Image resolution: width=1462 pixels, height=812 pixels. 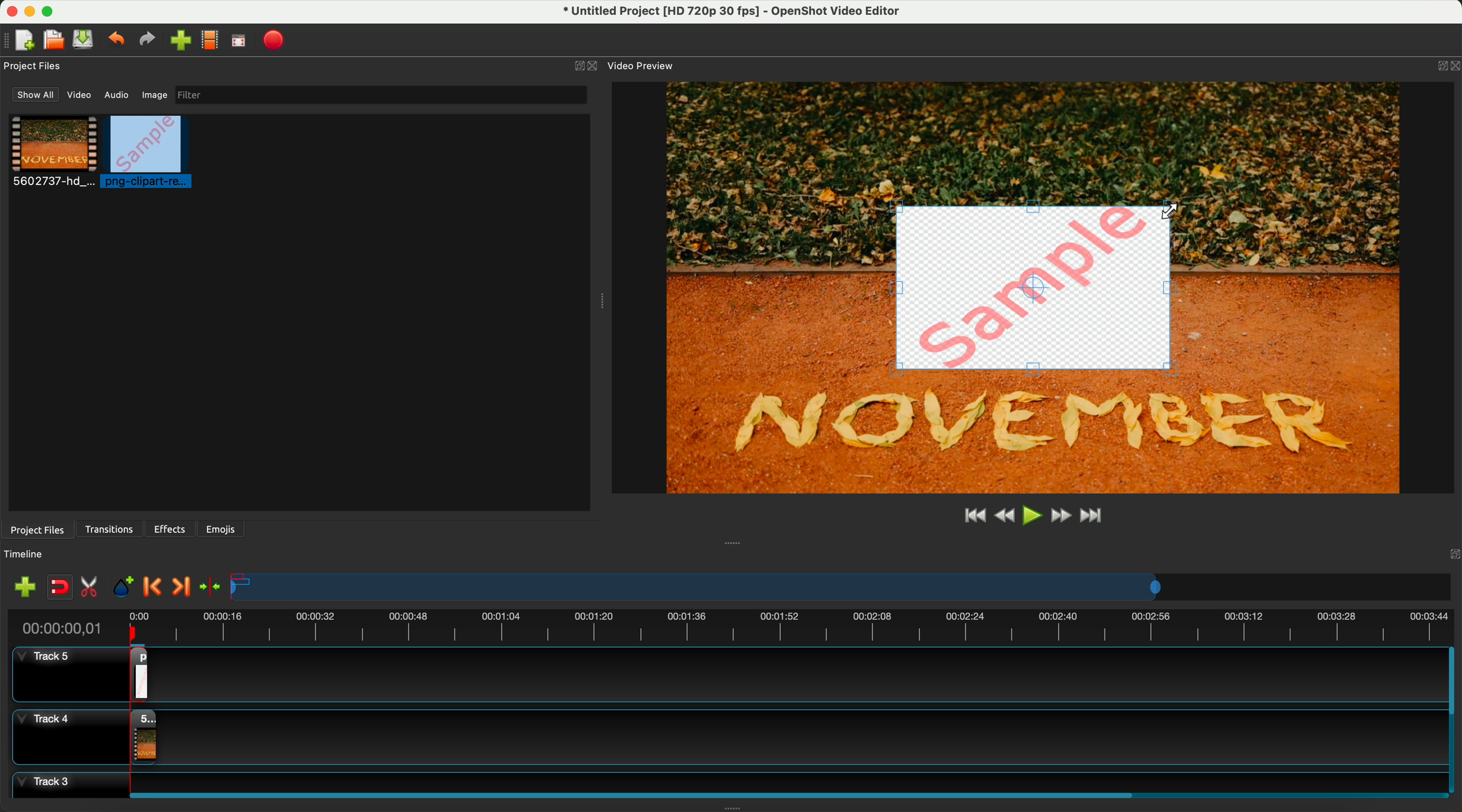 What do you see at coordinates (209, 586) in the screenshot?
I see `center the timeline on the playhead` at bounding box center [209, 586].